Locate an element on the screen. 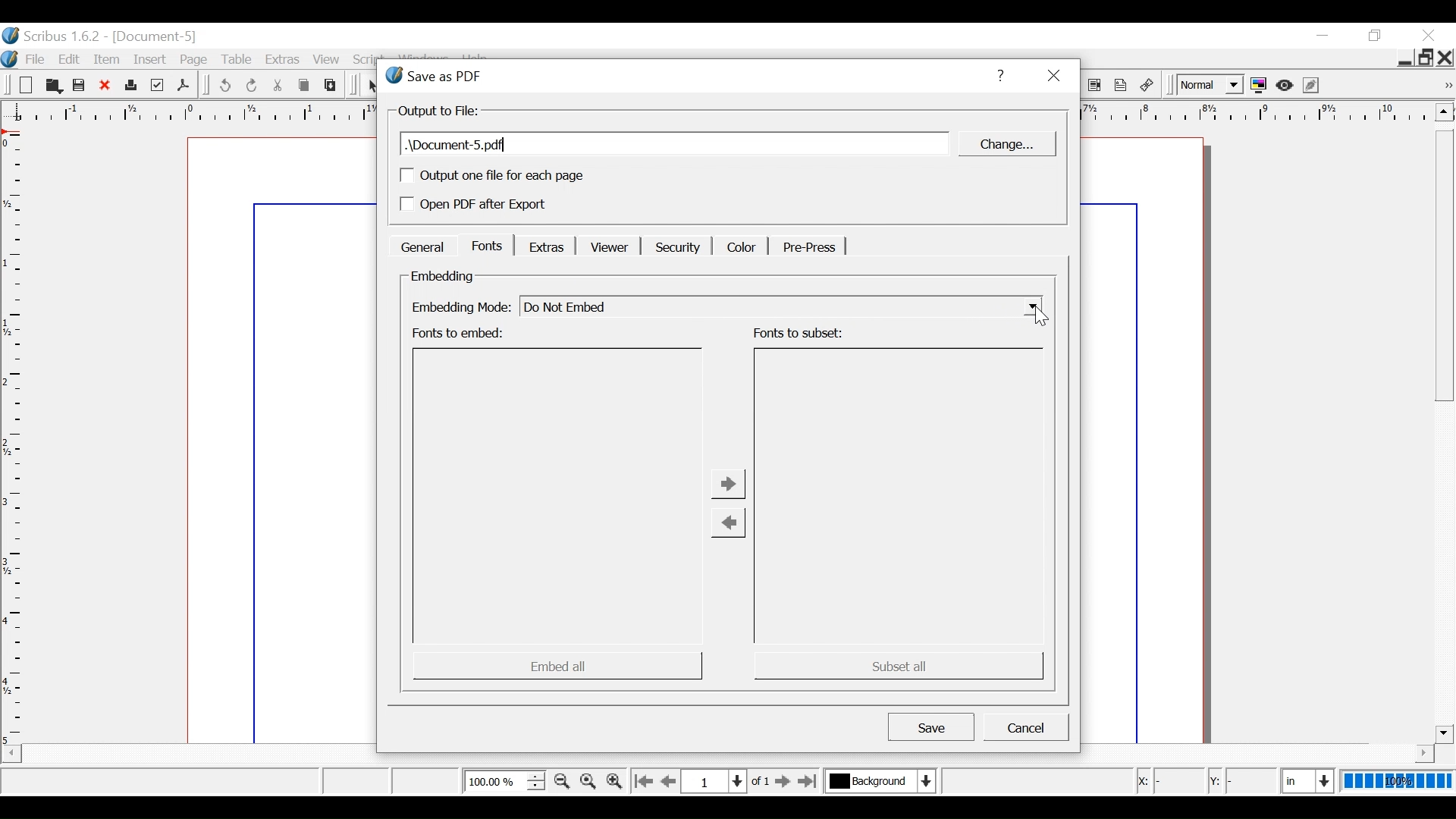 Image resolution: width=1456 pixels, height=819 pixels. Fonts to embed is located at coordinates (460, 334).